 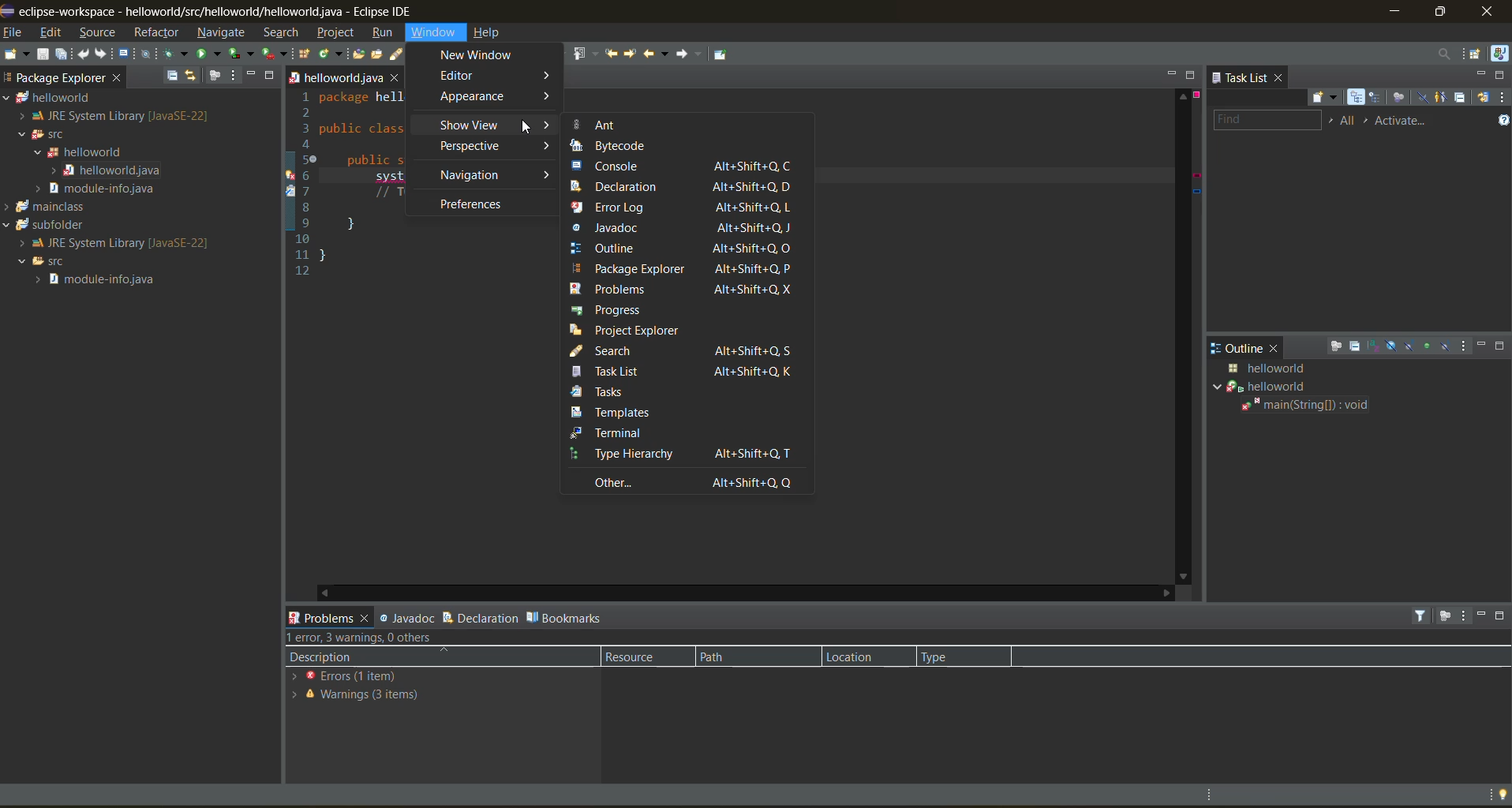 I want to click on previous edit location, so click(x=612, y=53).